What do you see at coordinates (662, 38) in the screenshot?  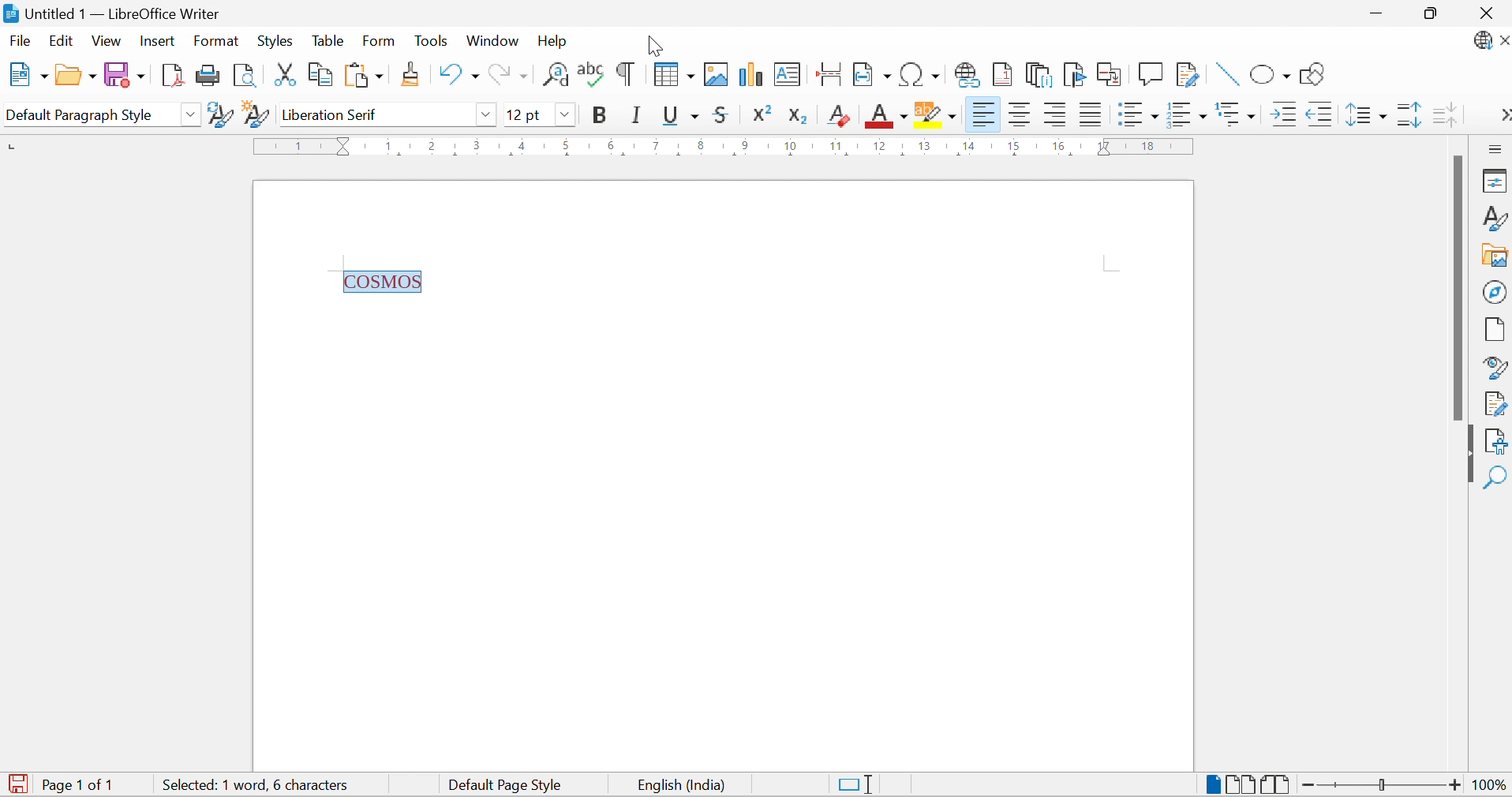 I see `pointer cursor` at bounding box center [662, 38].